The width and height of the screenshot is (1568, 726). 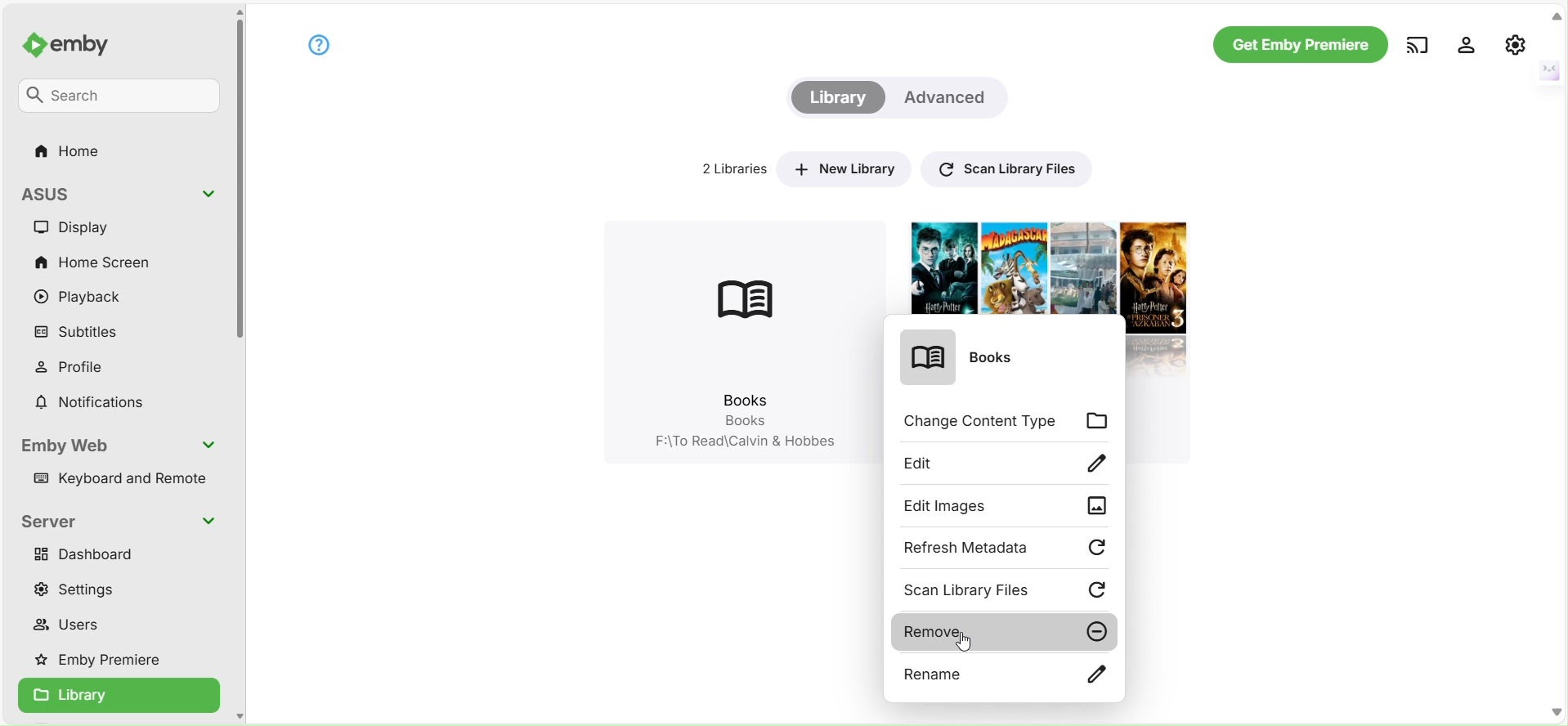 I want to click on Help, so click(x=318, y=44).